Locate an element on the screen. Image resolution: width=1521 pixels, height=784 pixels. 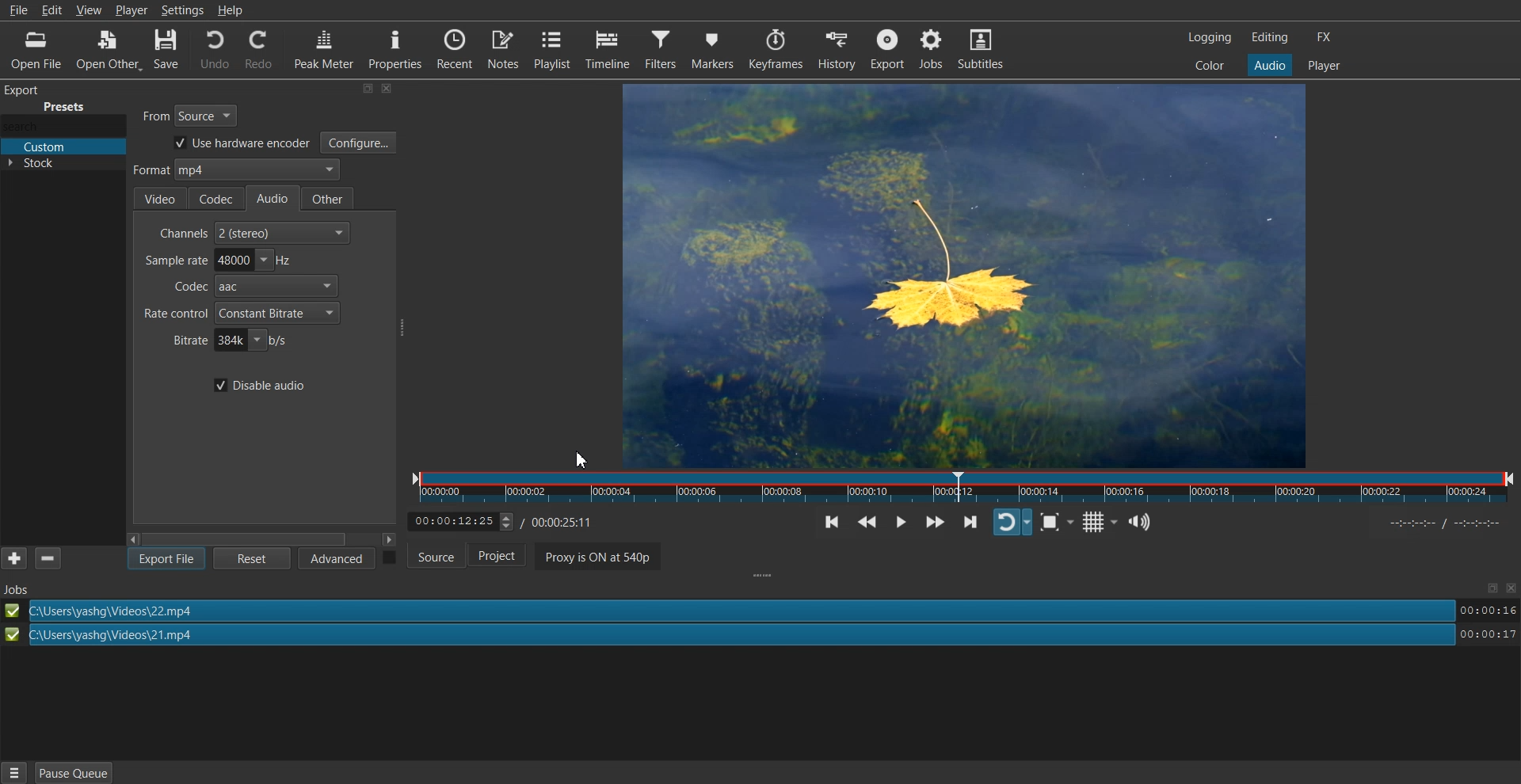
Recent is located at coordinates (456, 49).